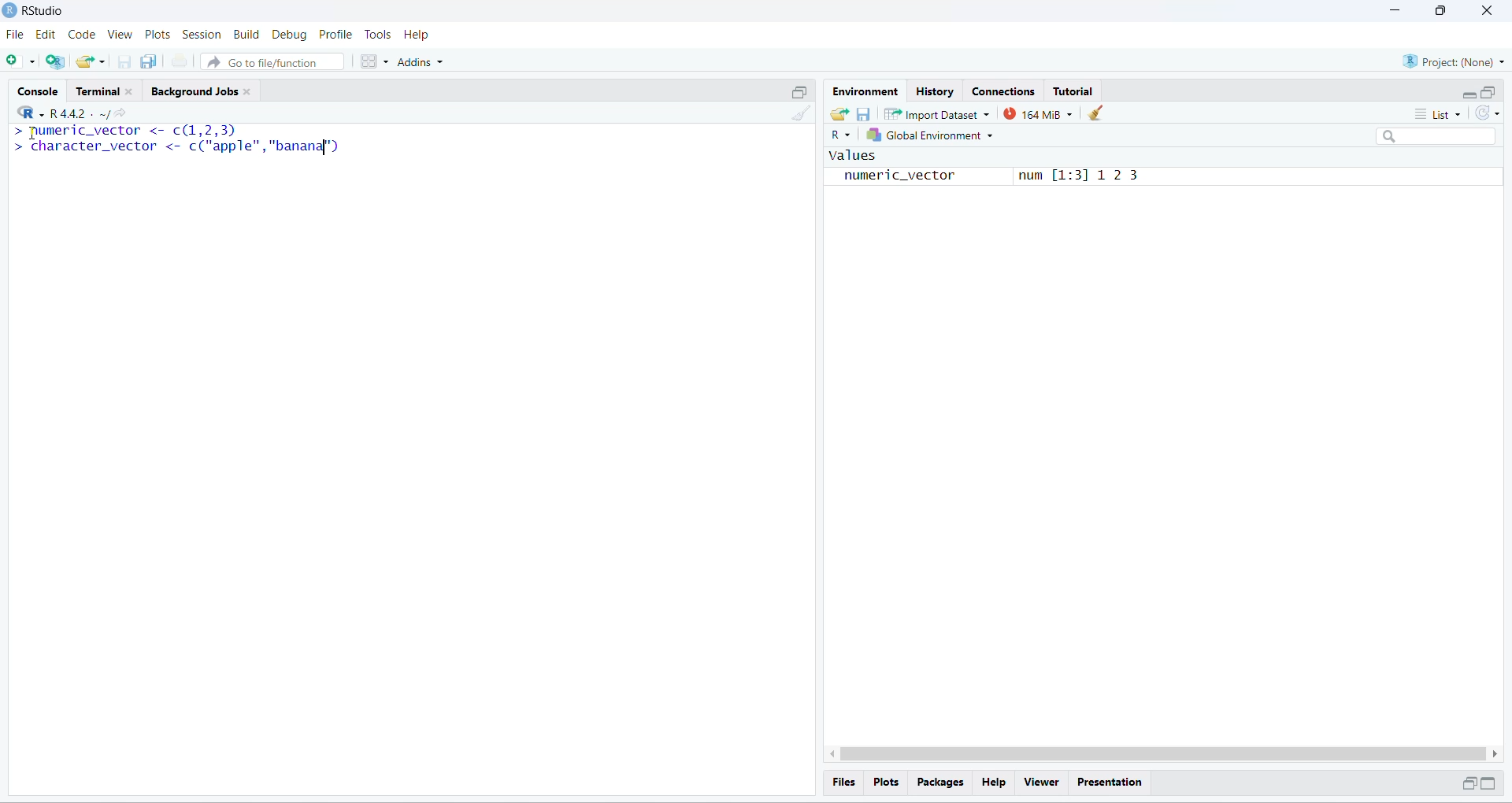 This screenshot has height=803, width=1512. Describe the element at coordinates (1488, 92) in the screenshot. I see `maximize` at that location.